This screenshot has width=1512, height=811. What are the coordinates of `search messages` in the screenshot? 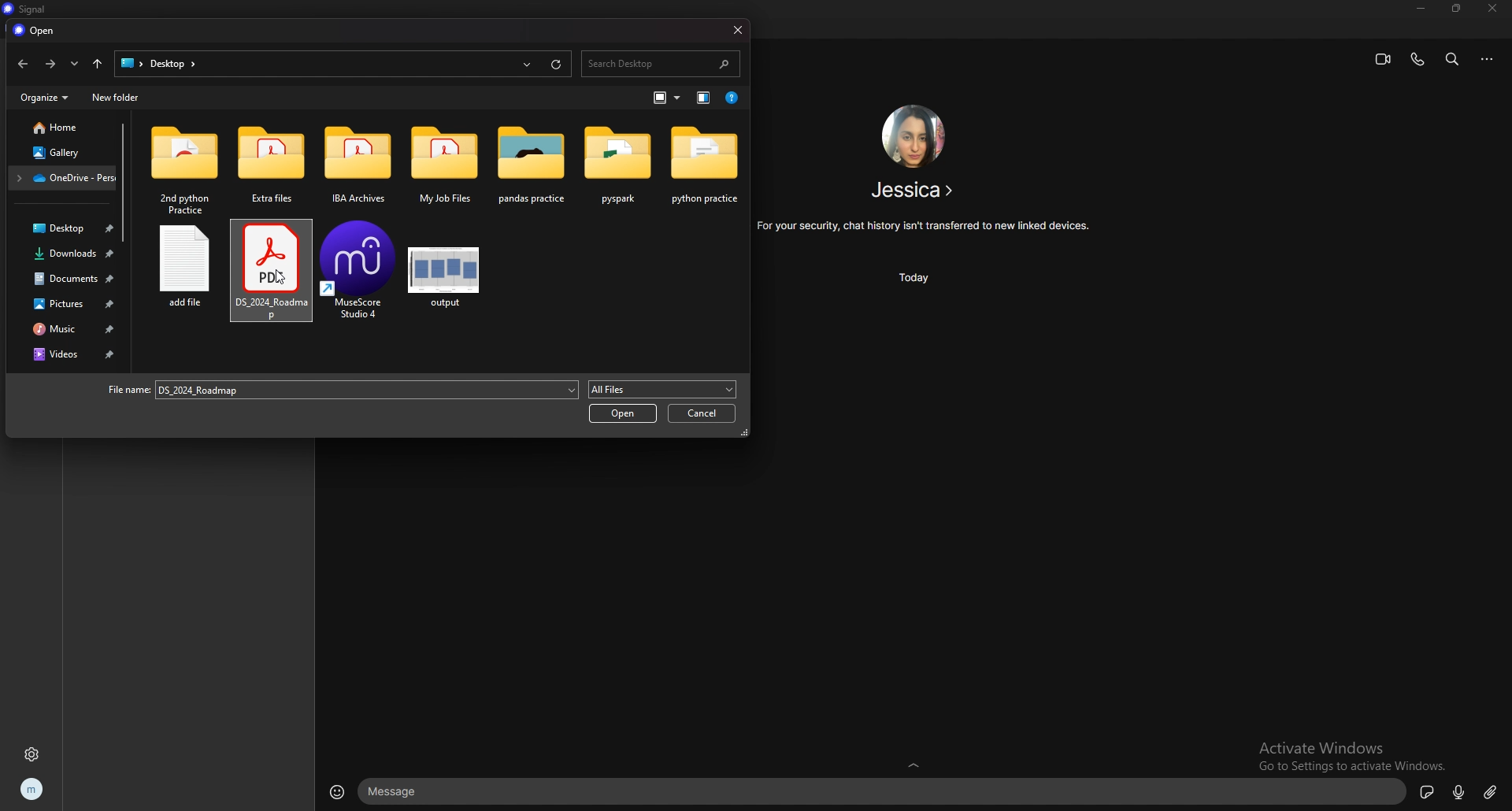 It's located at (1452, 58).